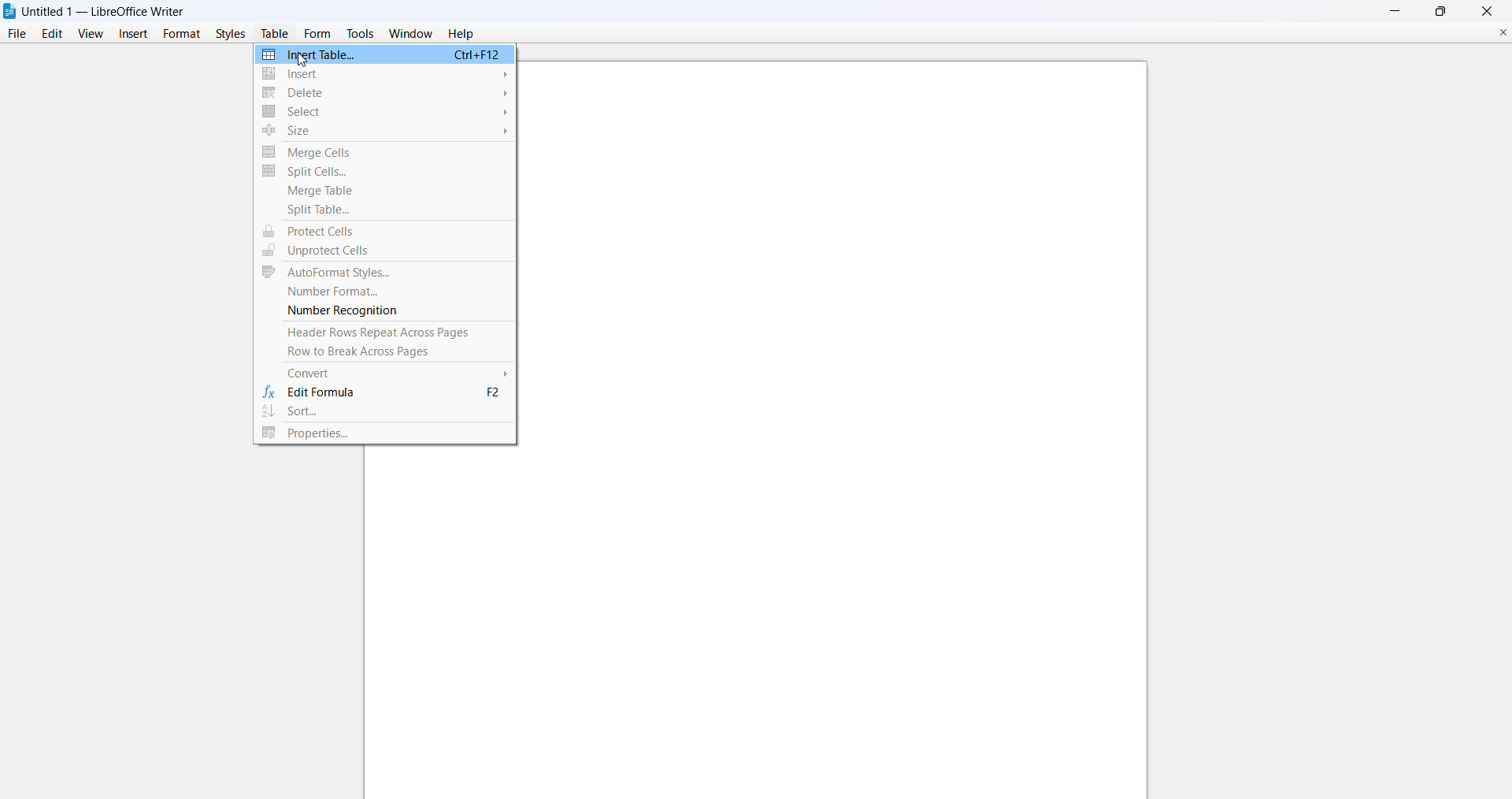  I want to click on merge table, so click(385, 191).